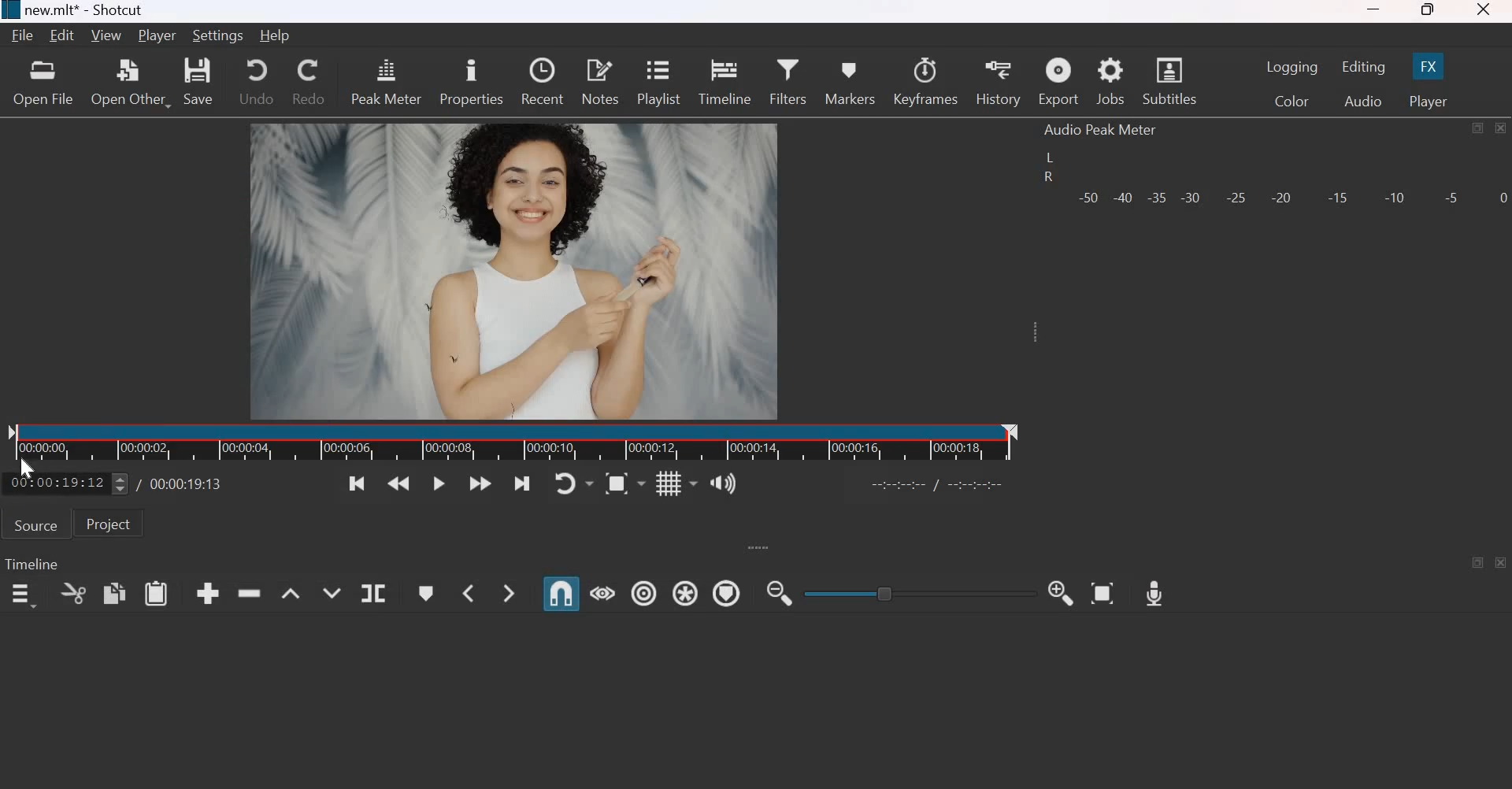 The width and height of the screenshot is (1512, 789). Describe the element at coordinates (626, 482) in the screenshot. I see `Toggle zoom` at that location.